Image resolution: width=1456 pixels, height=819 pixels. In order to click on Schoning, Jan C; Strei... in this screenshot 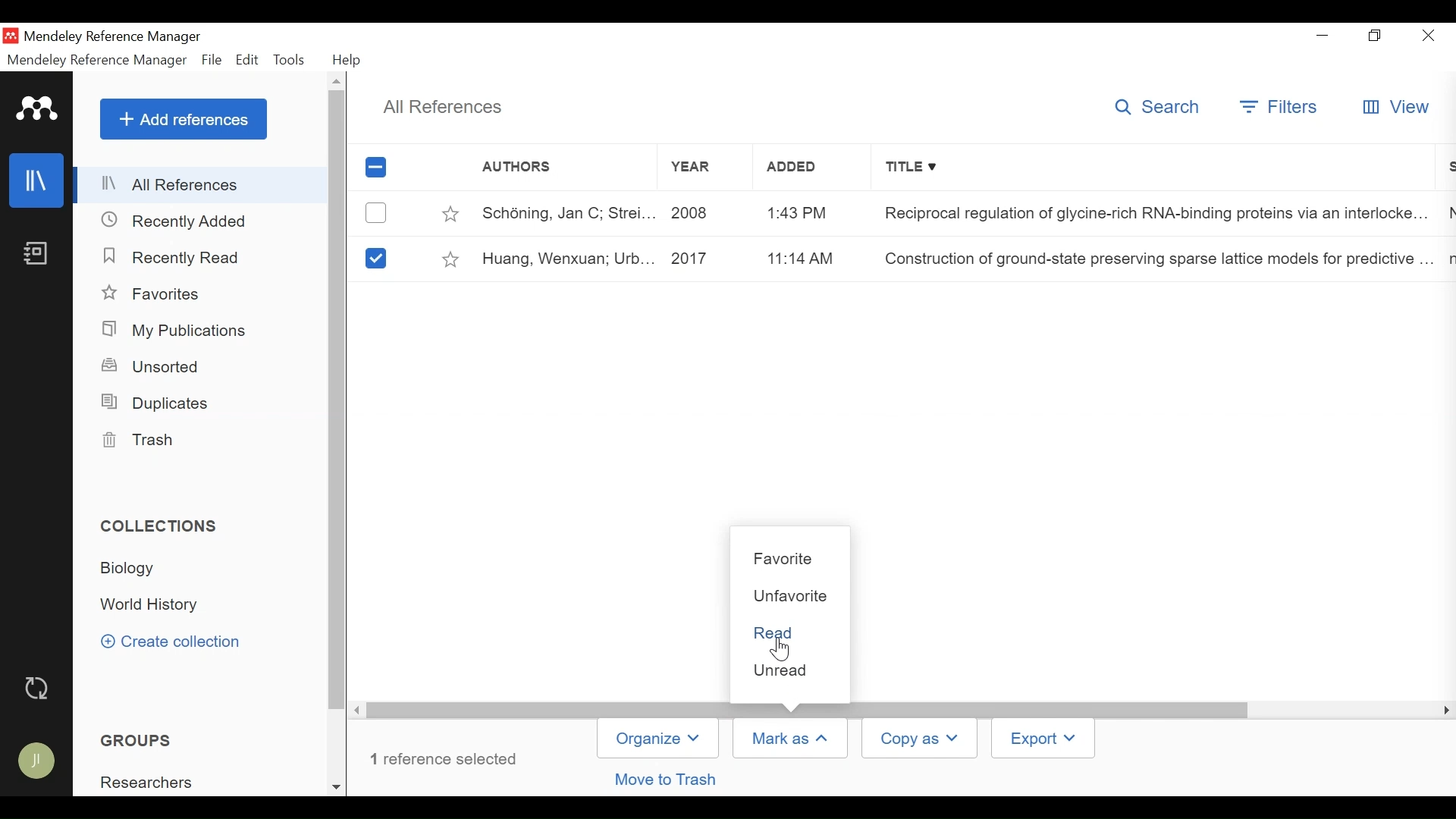, I will do `click(570, 213)`.